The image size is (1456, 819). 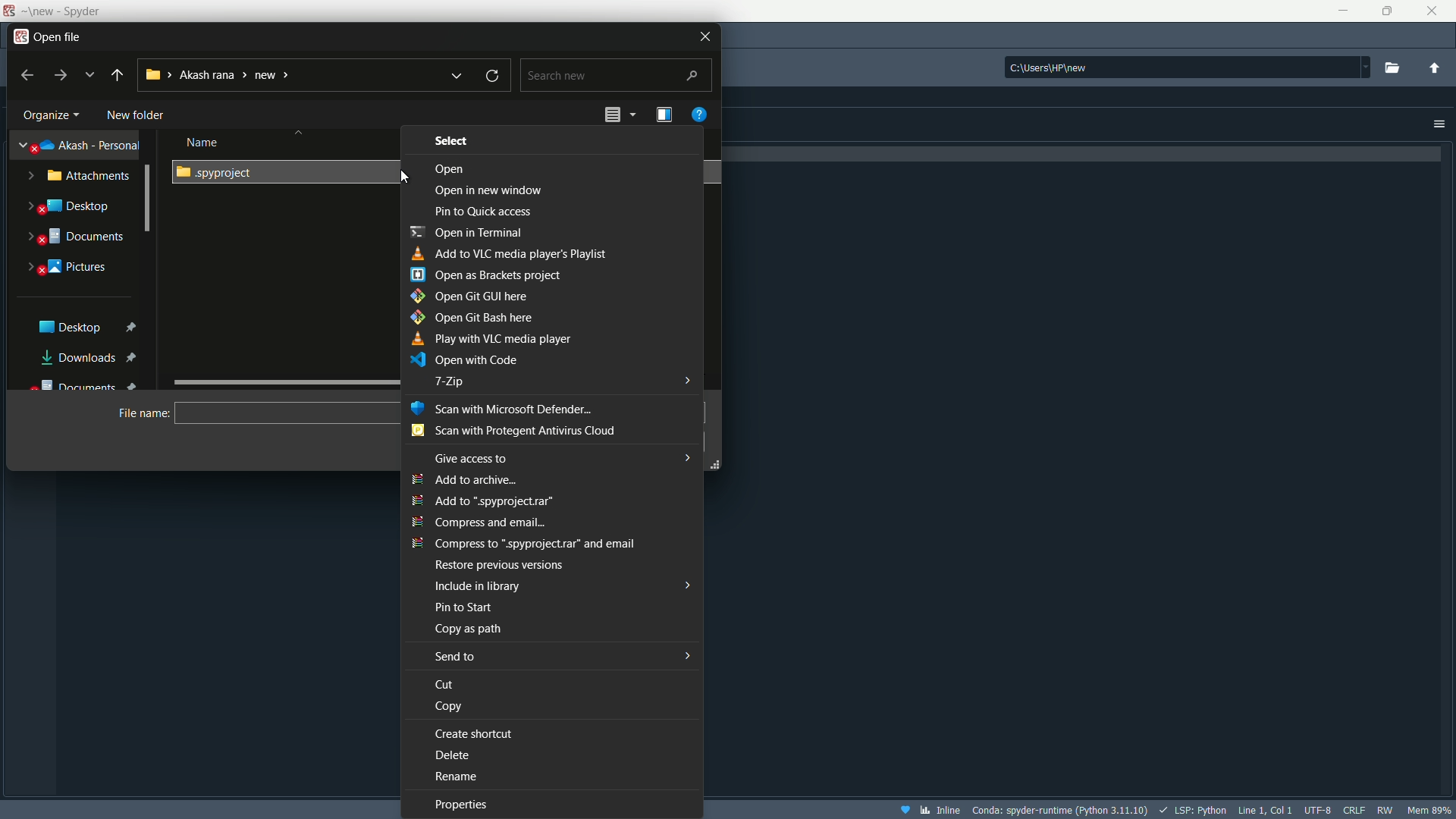 What do you see at coordinates (474, 296) in the screenshot?
I see `Open git gui here` at bounding box center [474, 296].